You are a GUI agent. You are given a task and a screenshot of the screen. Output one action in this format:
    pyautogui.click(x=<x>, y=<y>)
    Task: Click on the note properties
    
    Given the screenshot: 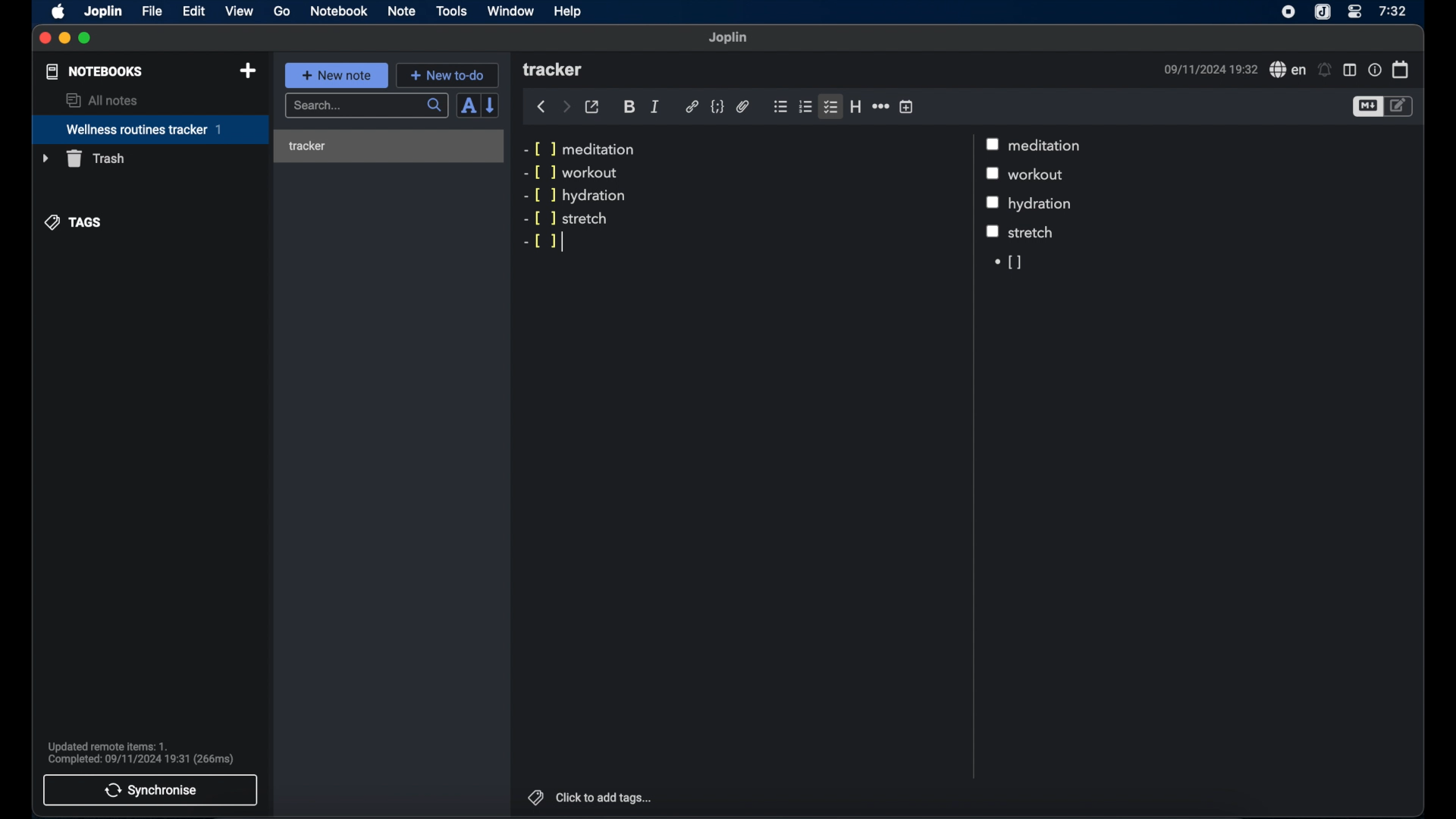 What is the action you would take?
    pyautogui.click(x=1374, y=69)
    